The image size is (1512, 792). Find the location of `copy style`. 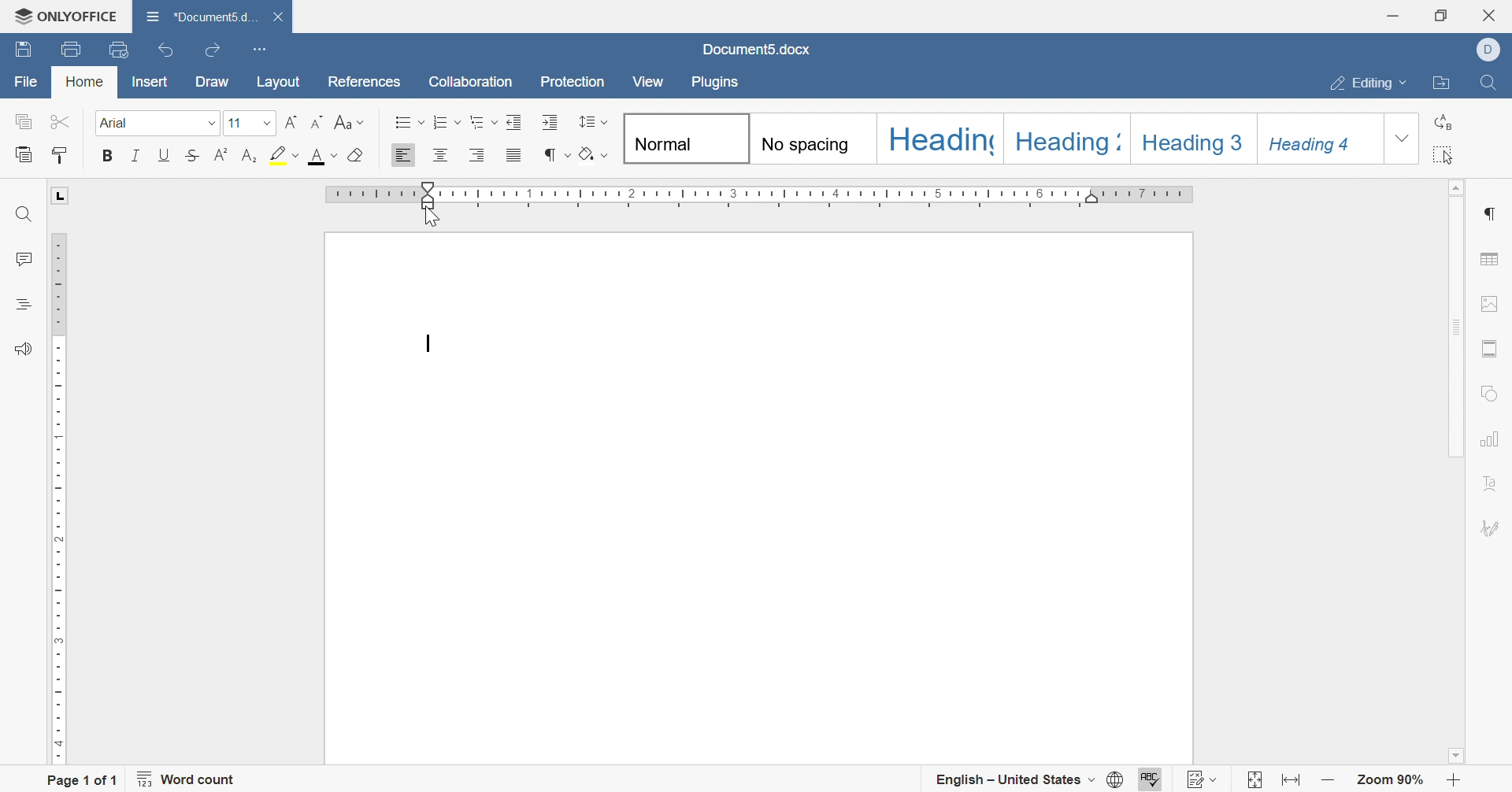

copy style is located at coordinates (60, 154).